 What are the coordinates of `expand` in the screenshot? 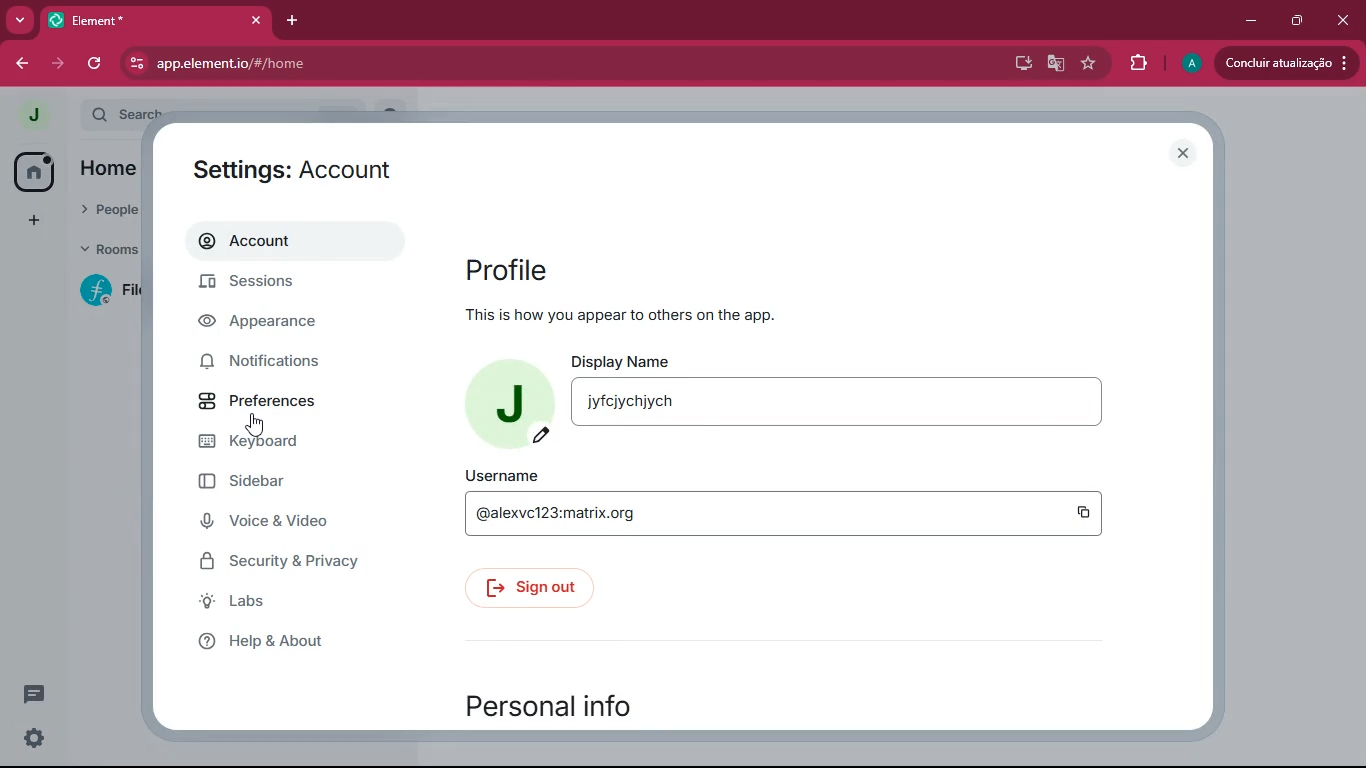 It's located at (67, 116).